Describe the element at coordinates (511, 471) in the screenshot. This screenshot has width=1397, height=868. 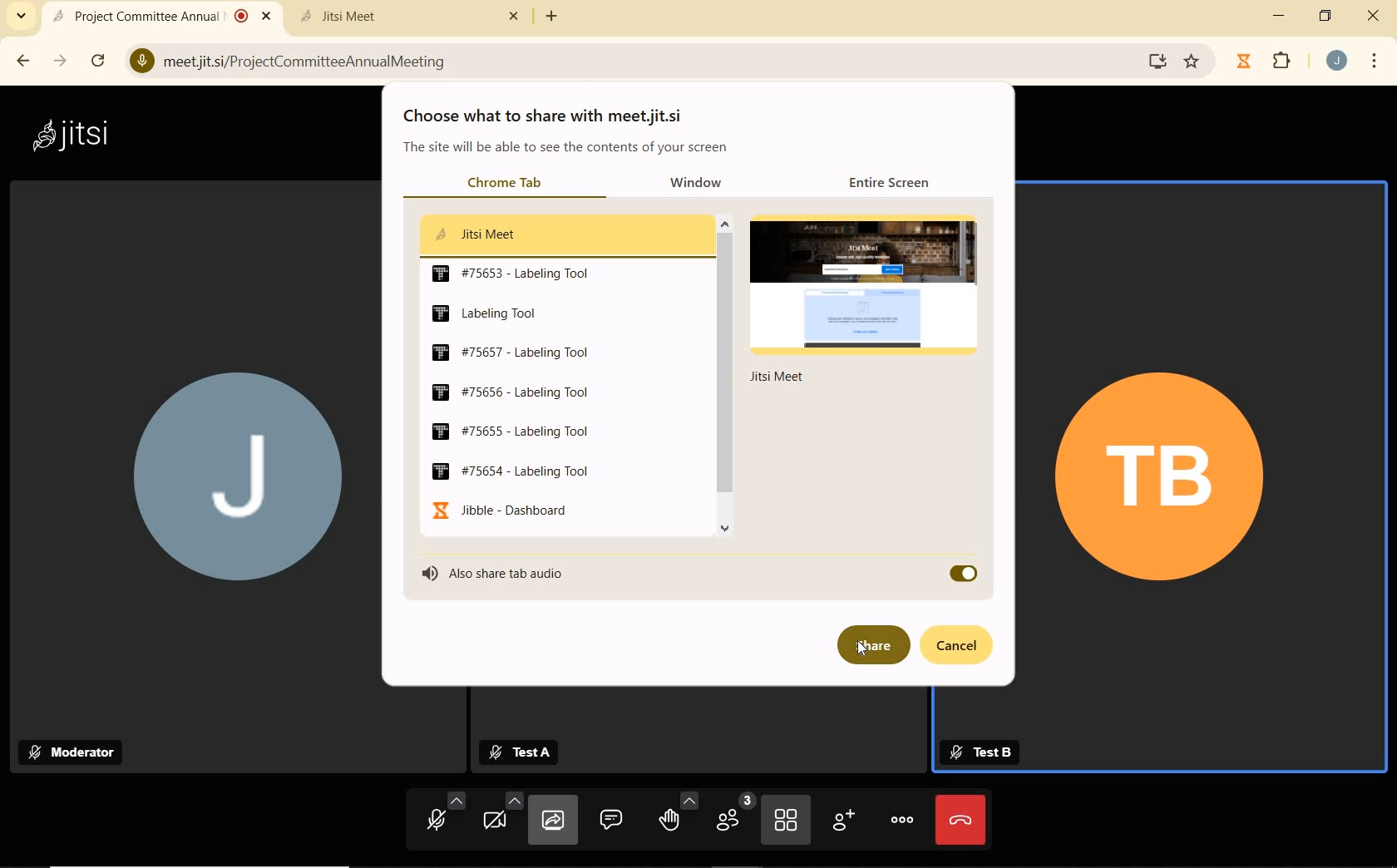
I see `#75654 - Labeling Tool` at that location.